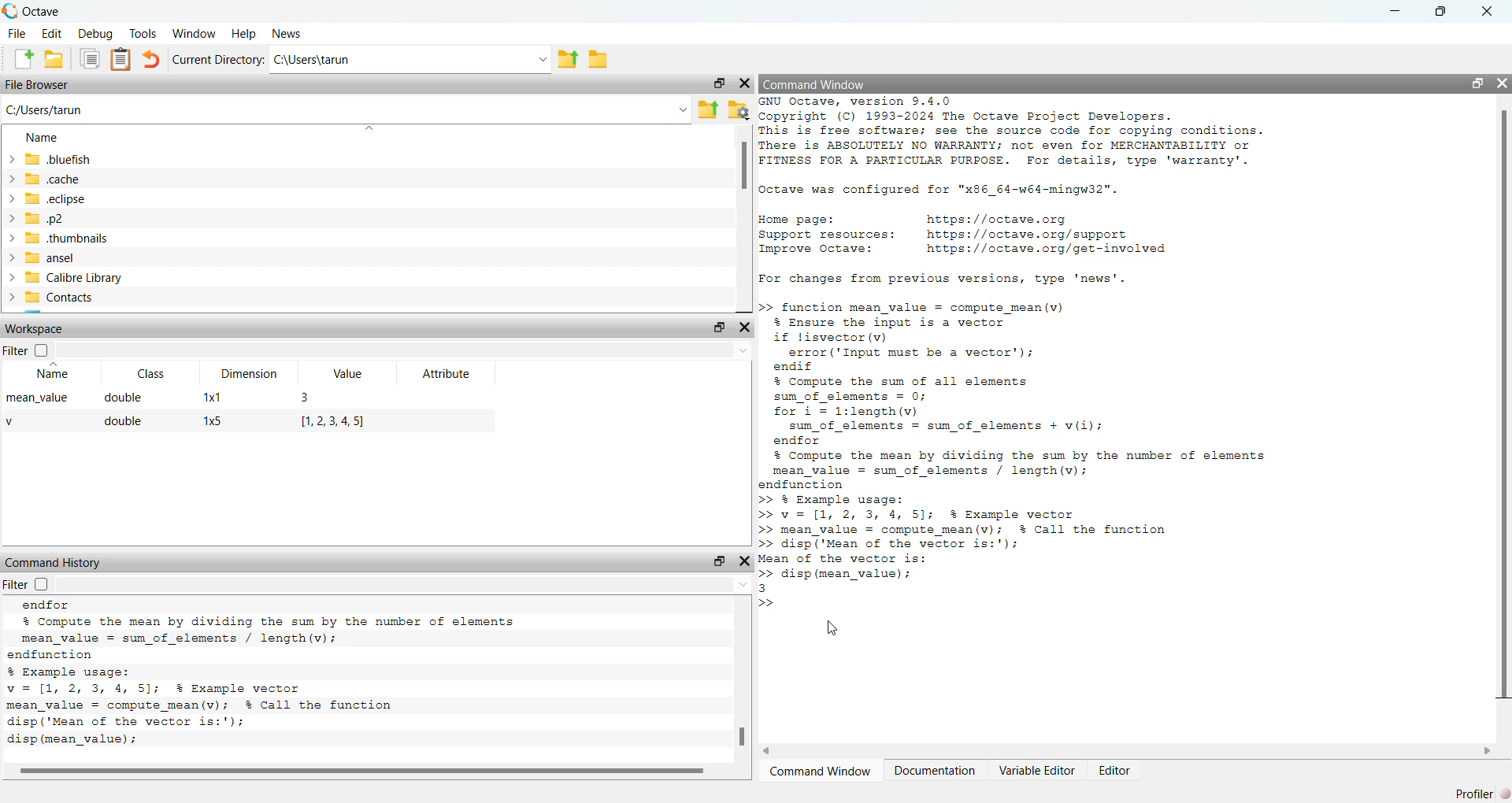 The height and width of the screenshot is (803, 1512). Describe the element at coordinates (769, 751) in the screenshot. I see `scroll left` at that location.